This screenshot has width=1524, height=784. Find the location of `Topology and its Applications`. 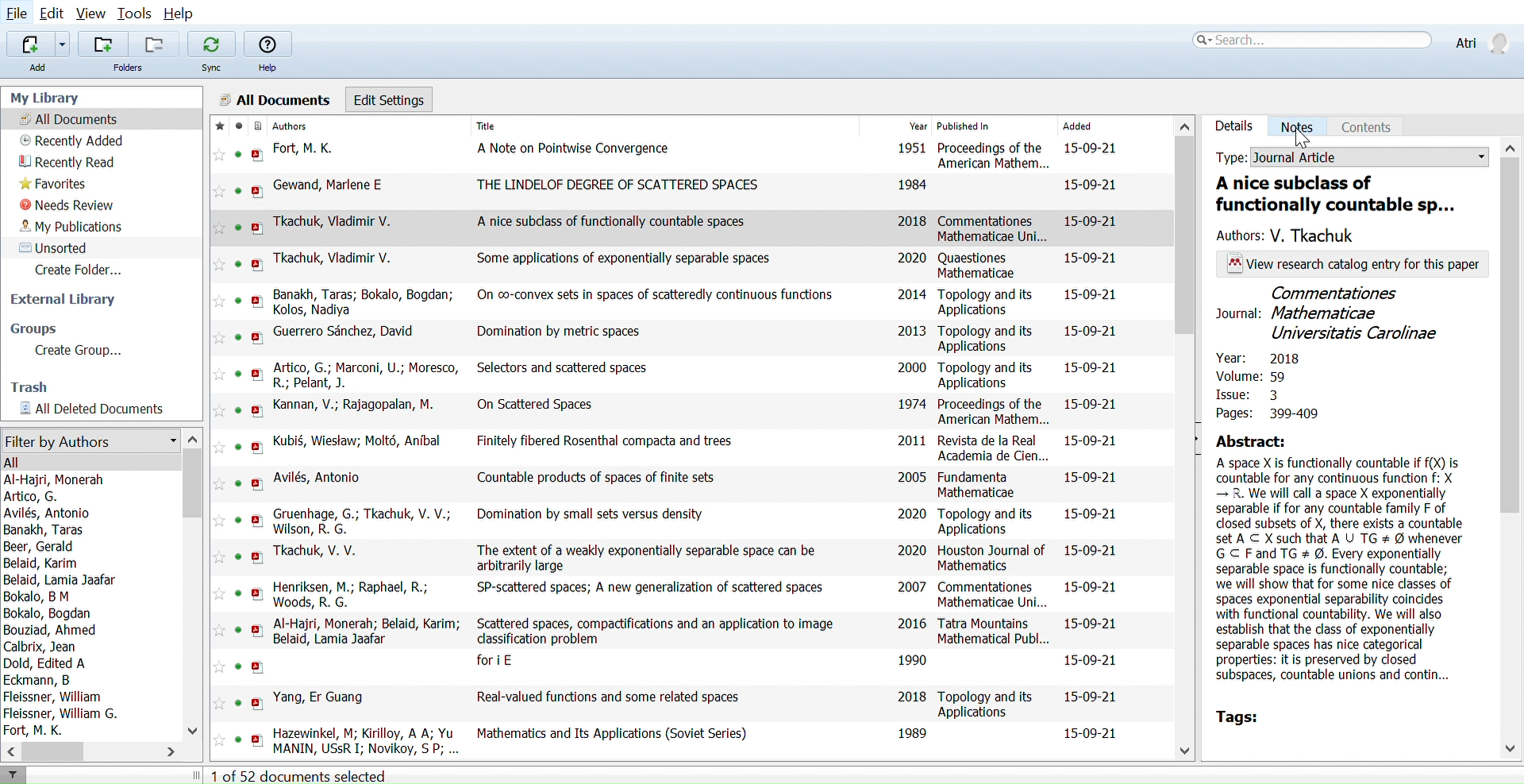

Topology and its Applications is located at coordinates (985, 339).